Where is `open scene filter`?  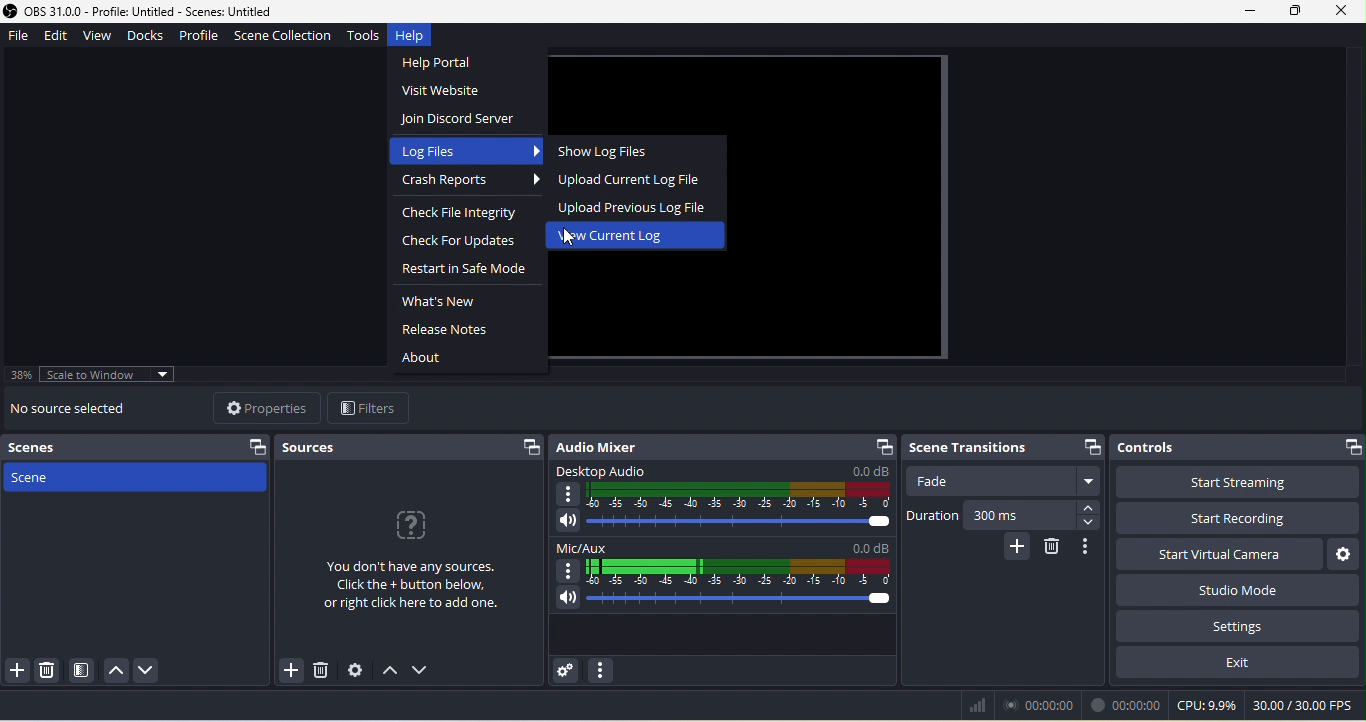 open scene filter is located at coordinates (79, 670).